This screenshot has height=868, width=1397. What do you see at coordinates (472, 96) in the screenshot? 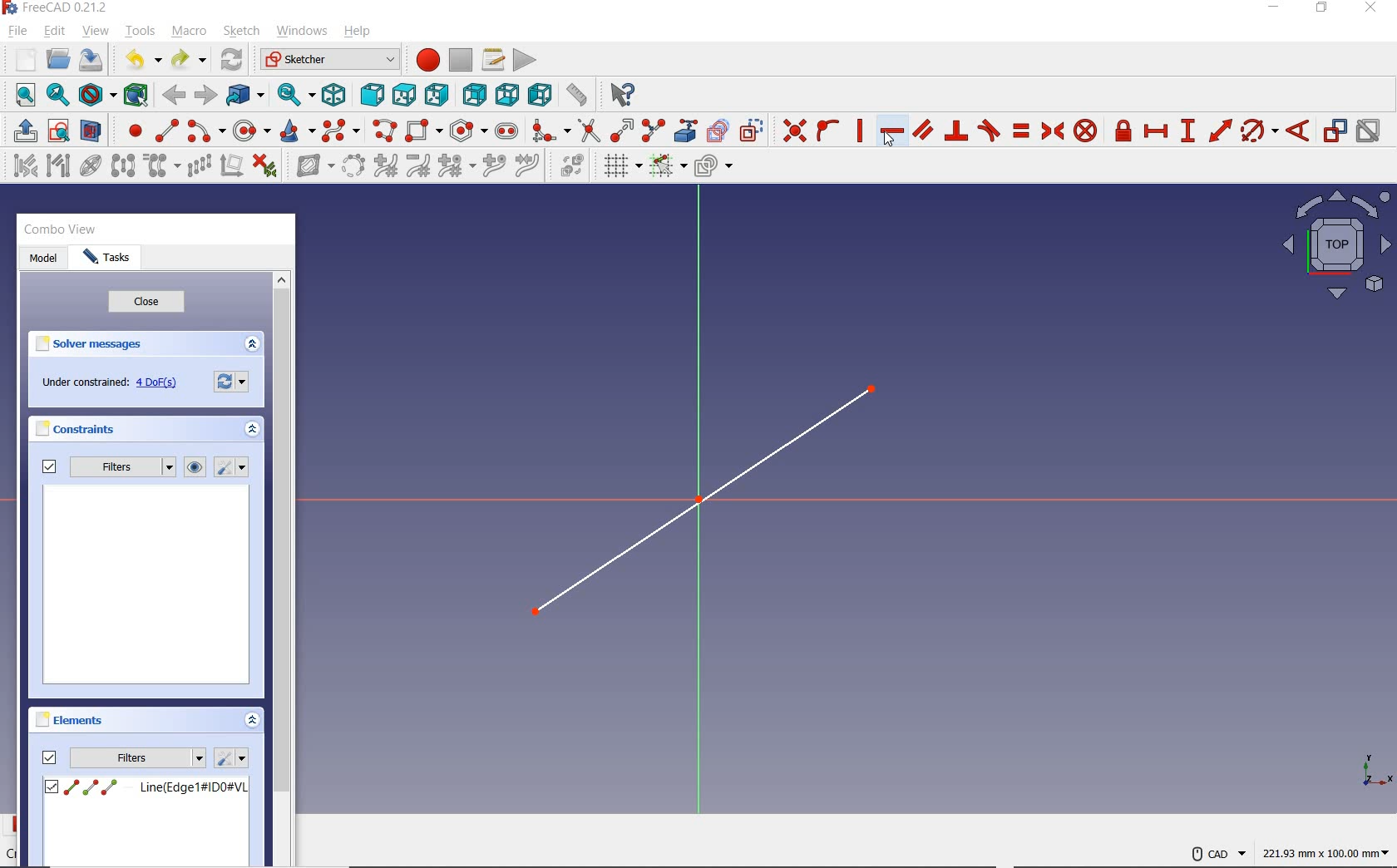
I see `REAR` at bounding box center [472, 96].